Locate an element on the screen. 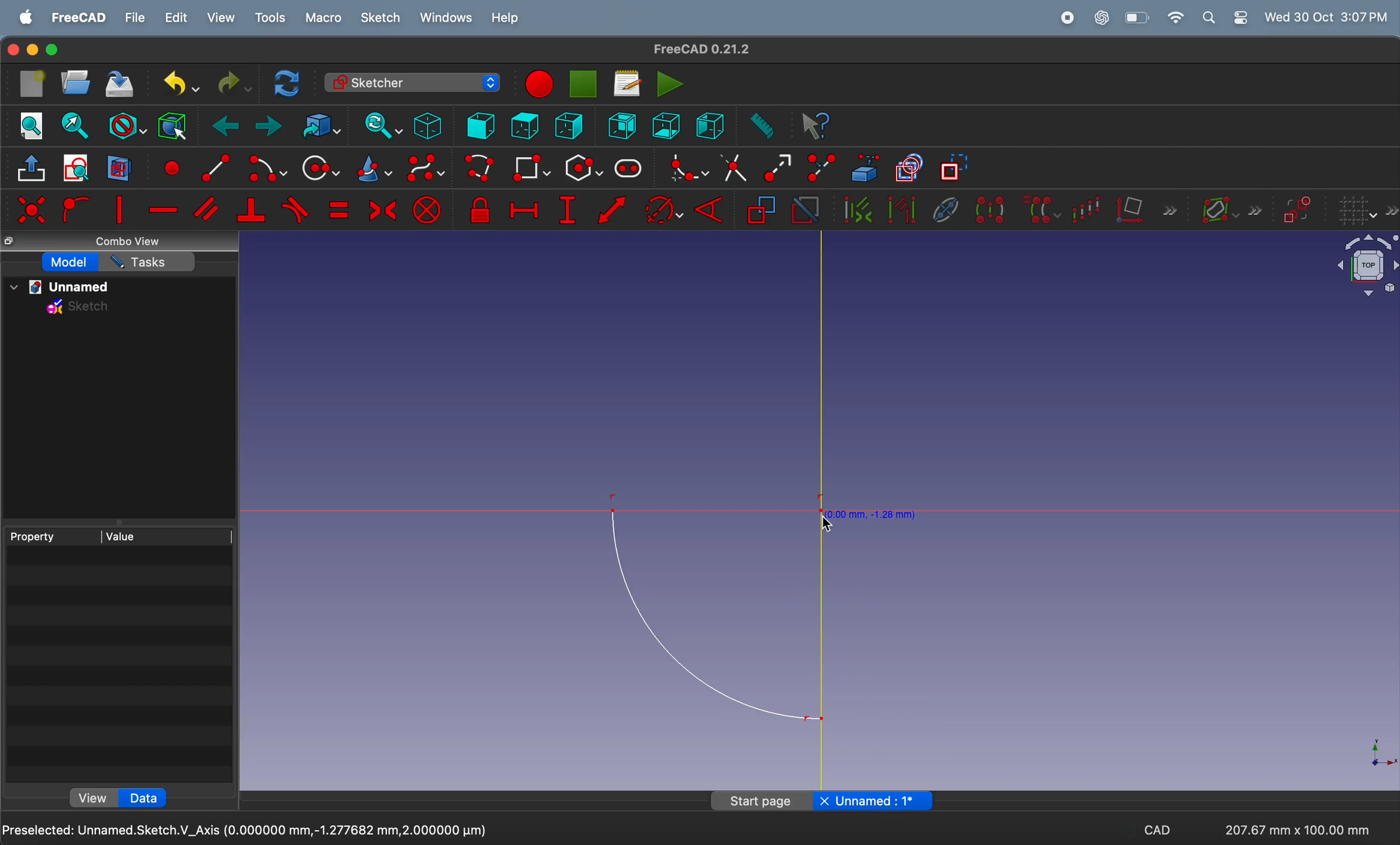 This screenshot has width=1400, height=845. create point is located at coordinates (170, 166).